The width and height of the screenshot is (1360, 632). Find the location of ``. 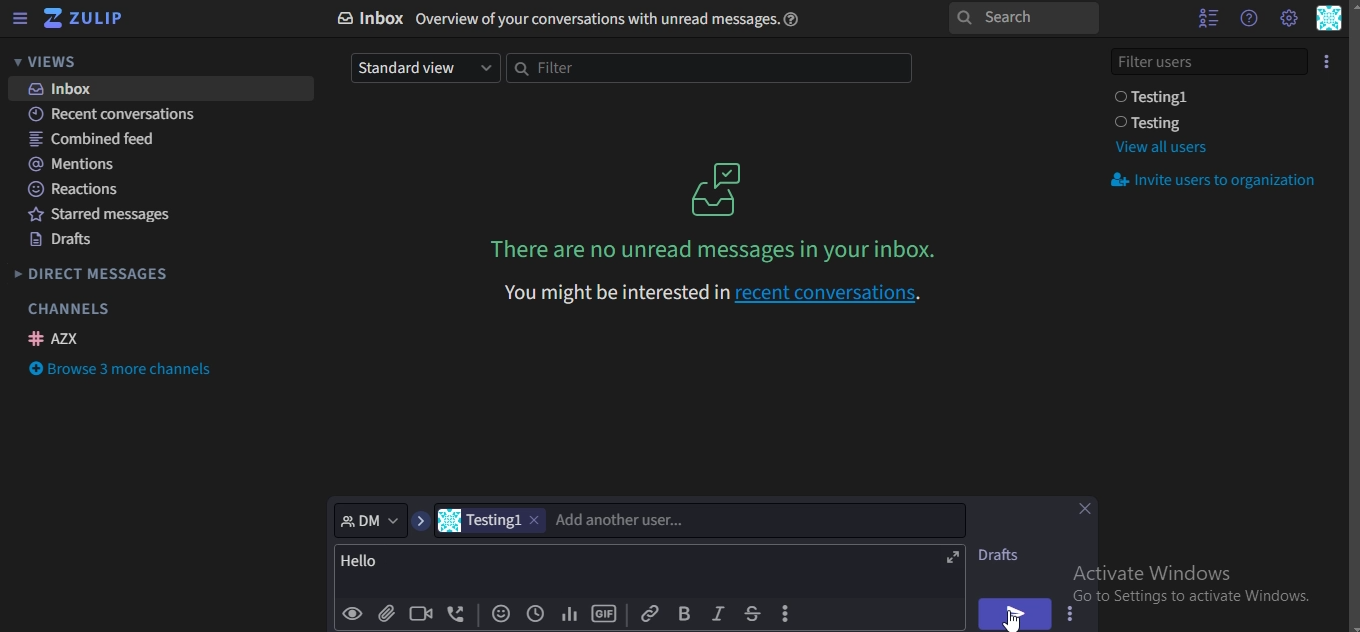

 is located at coordinates (1074, 613).